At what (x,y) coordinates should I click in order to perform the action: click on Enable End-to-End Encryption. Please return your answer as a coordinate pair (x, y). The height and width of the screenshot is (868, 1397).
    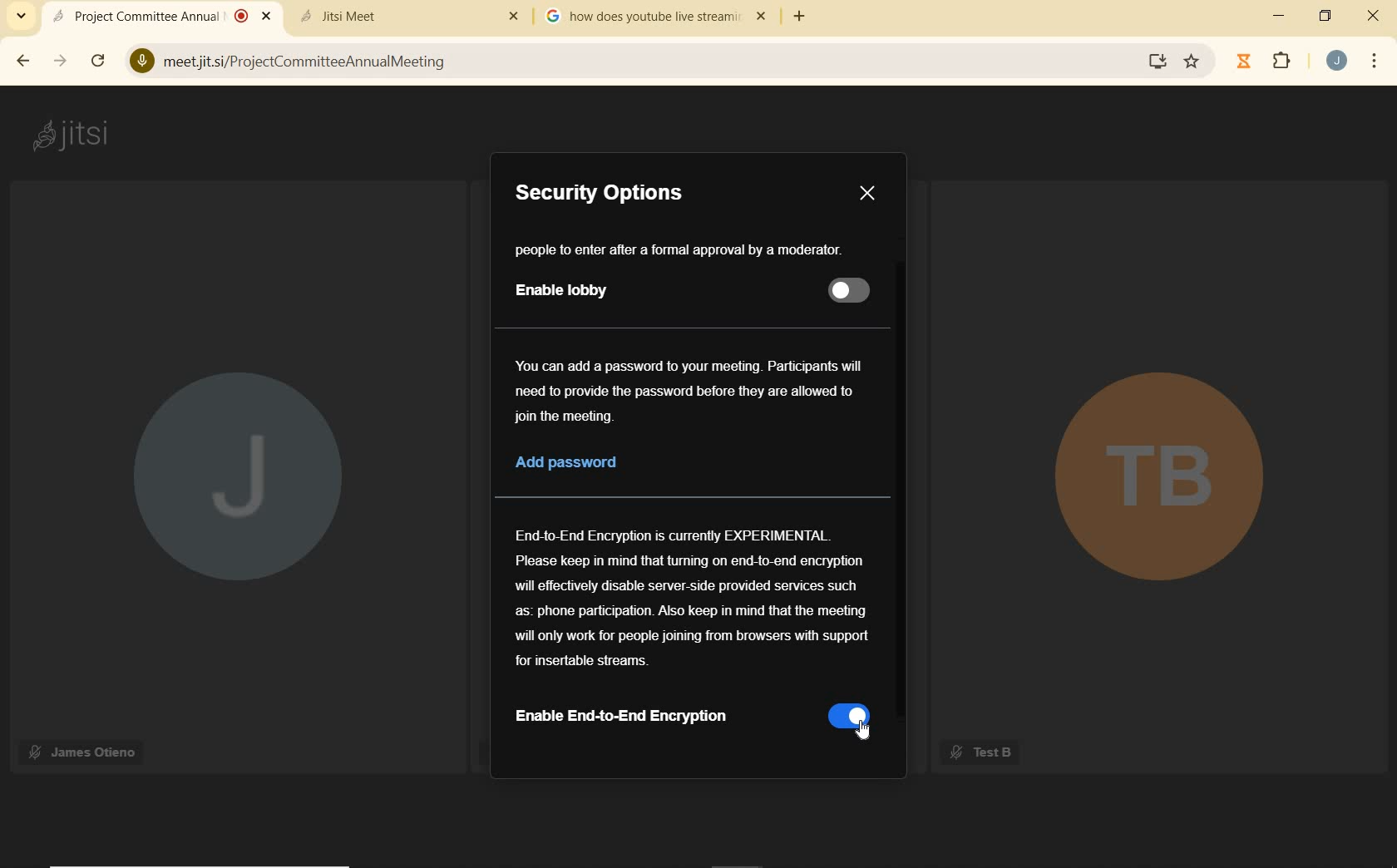
    Looking at the image, I should click on (645, 715).